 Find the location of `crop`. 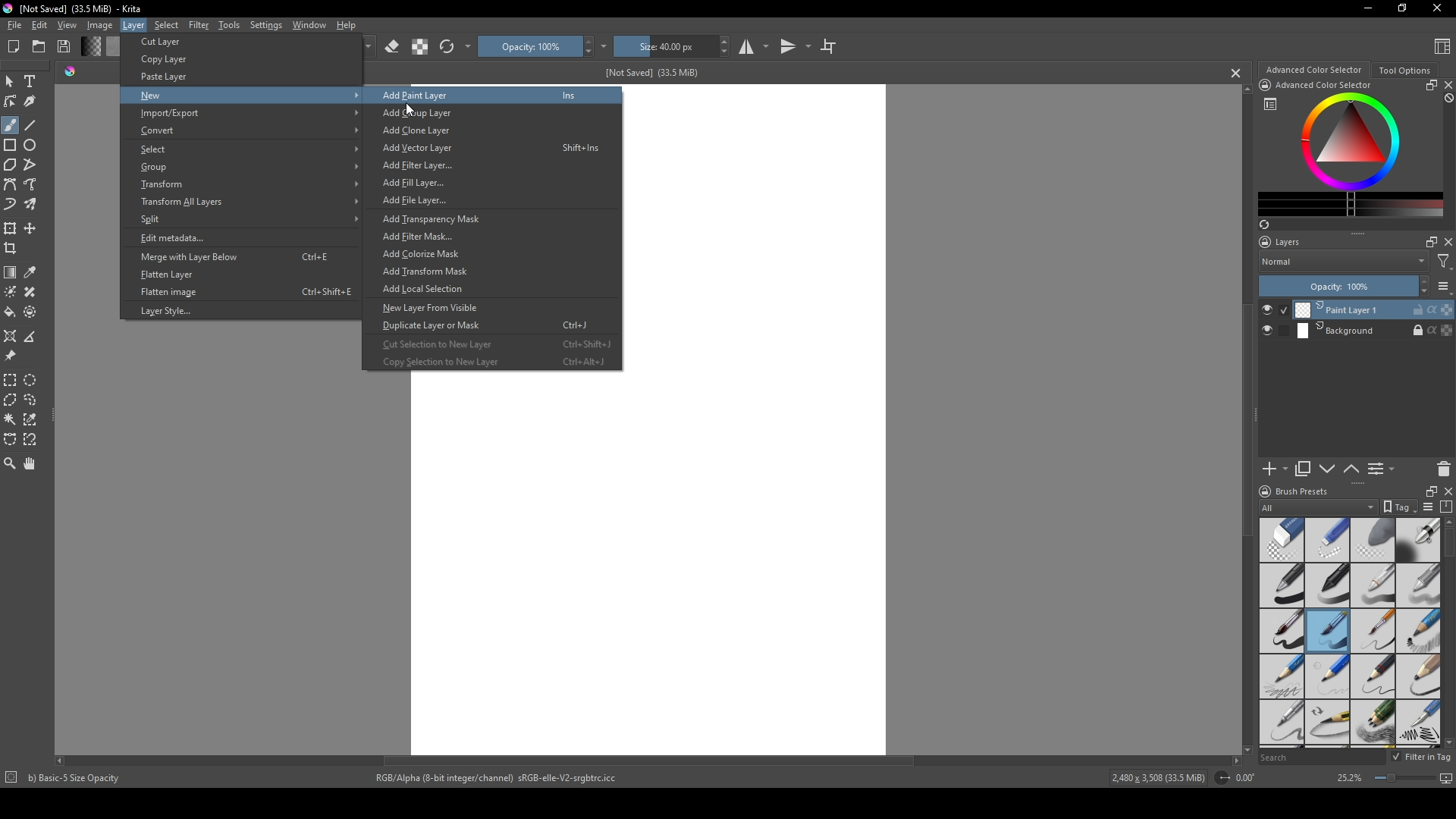

crop is located at coordinates (828, 45).